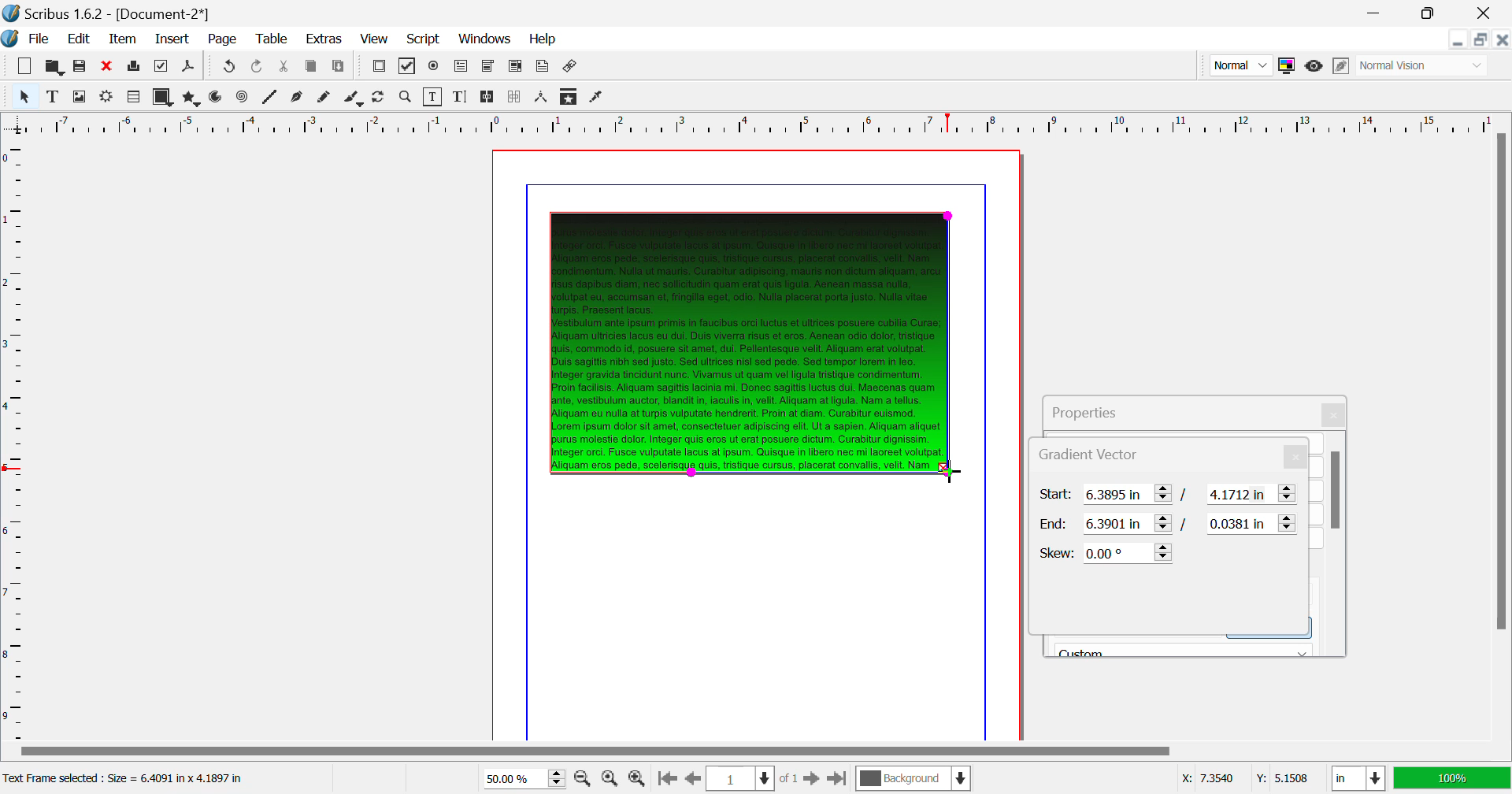 The image size is (1512, 794). What do you see at coordinates (780, 123) in the screenshot?
I see `Vertical Page Margin` at bounding box center [780, 123].